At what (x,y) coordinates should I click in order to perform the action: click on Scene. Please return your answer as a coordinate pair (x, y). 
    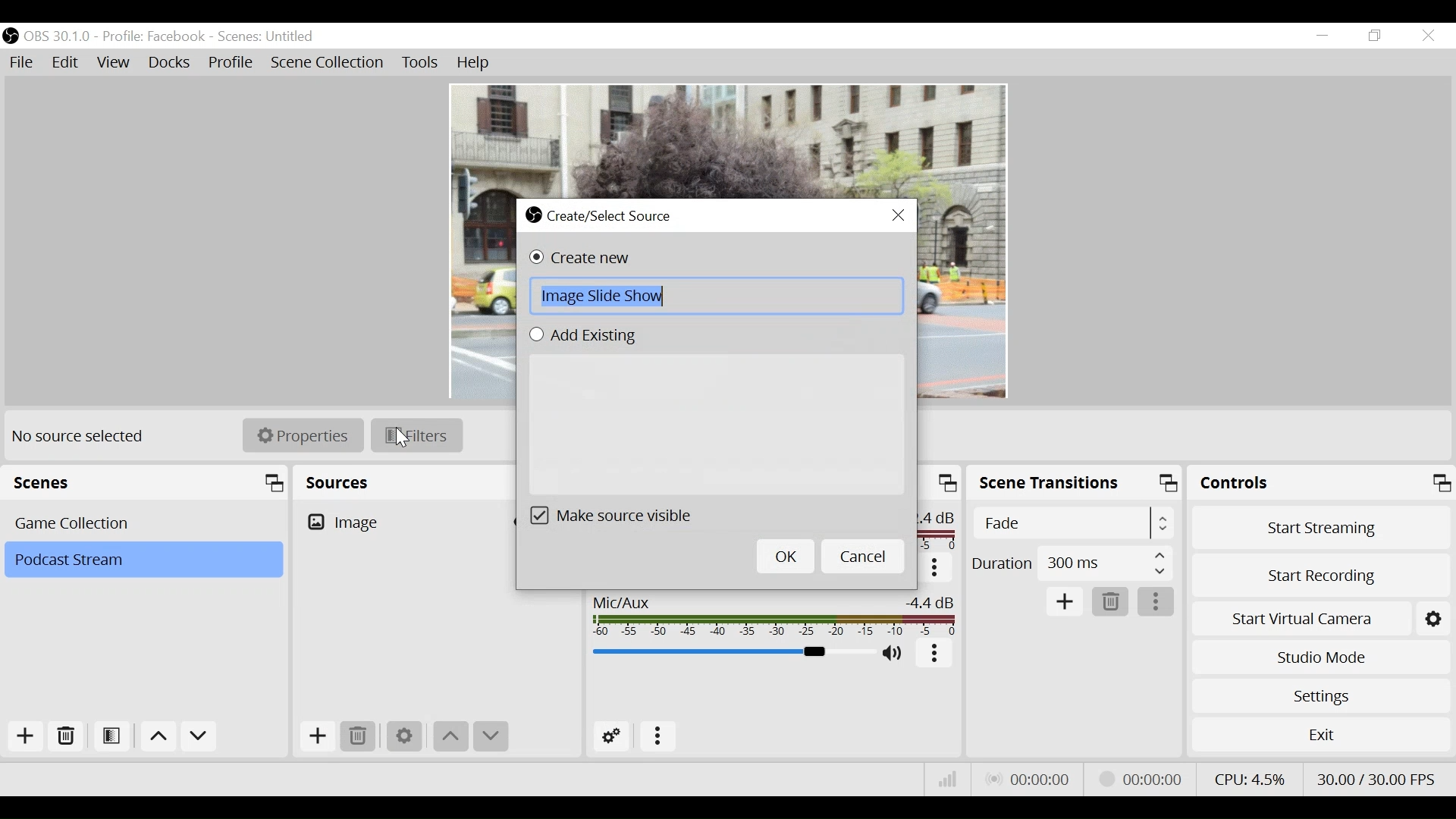
    Looking at the image, I should click on (268, 37).